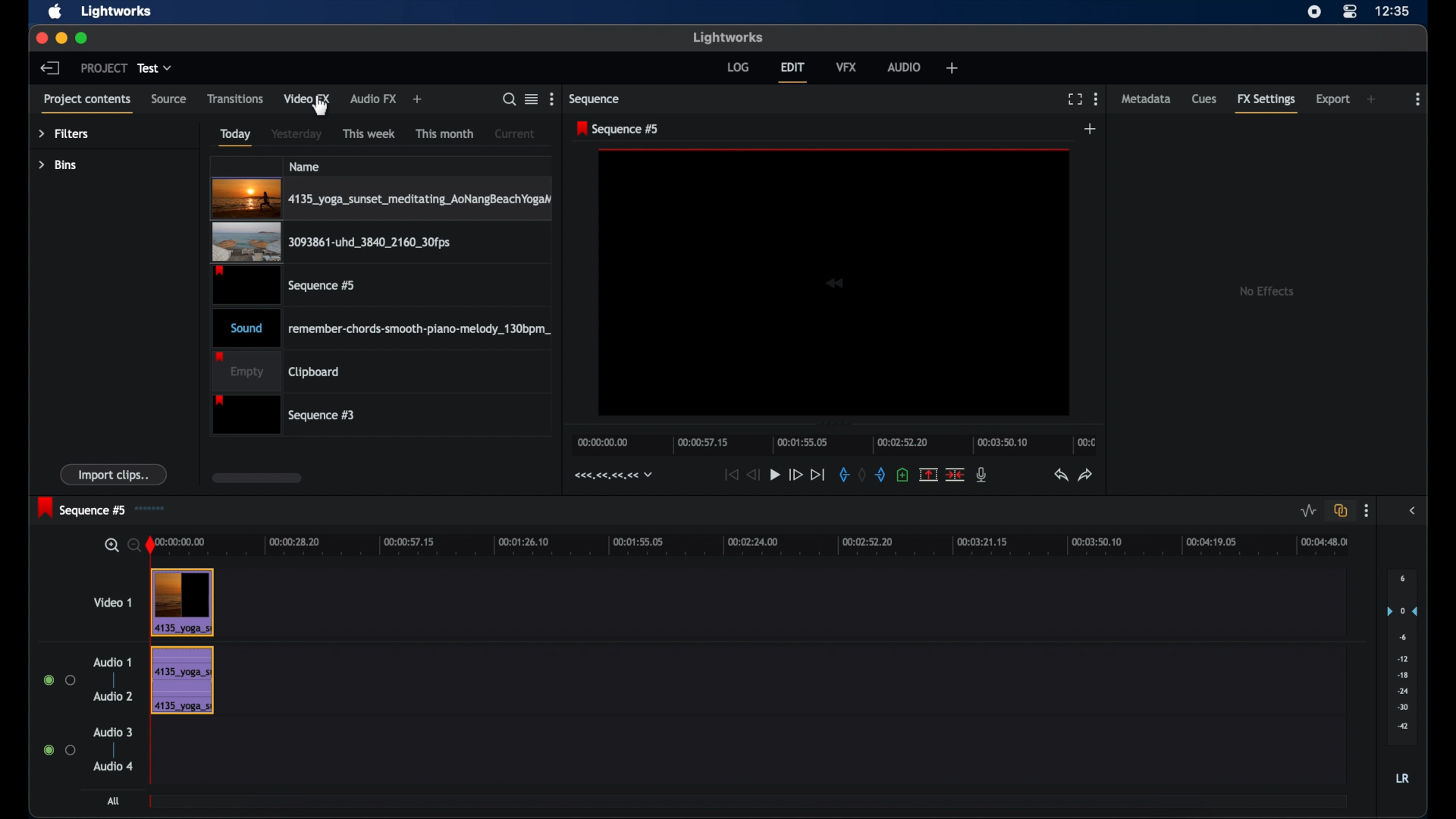 The width and height of the screenshot is (1456, 819). What do you see at coordinates (112, 696) in the screenshot?
I see `audio 2` at bounding box center [112, 696].